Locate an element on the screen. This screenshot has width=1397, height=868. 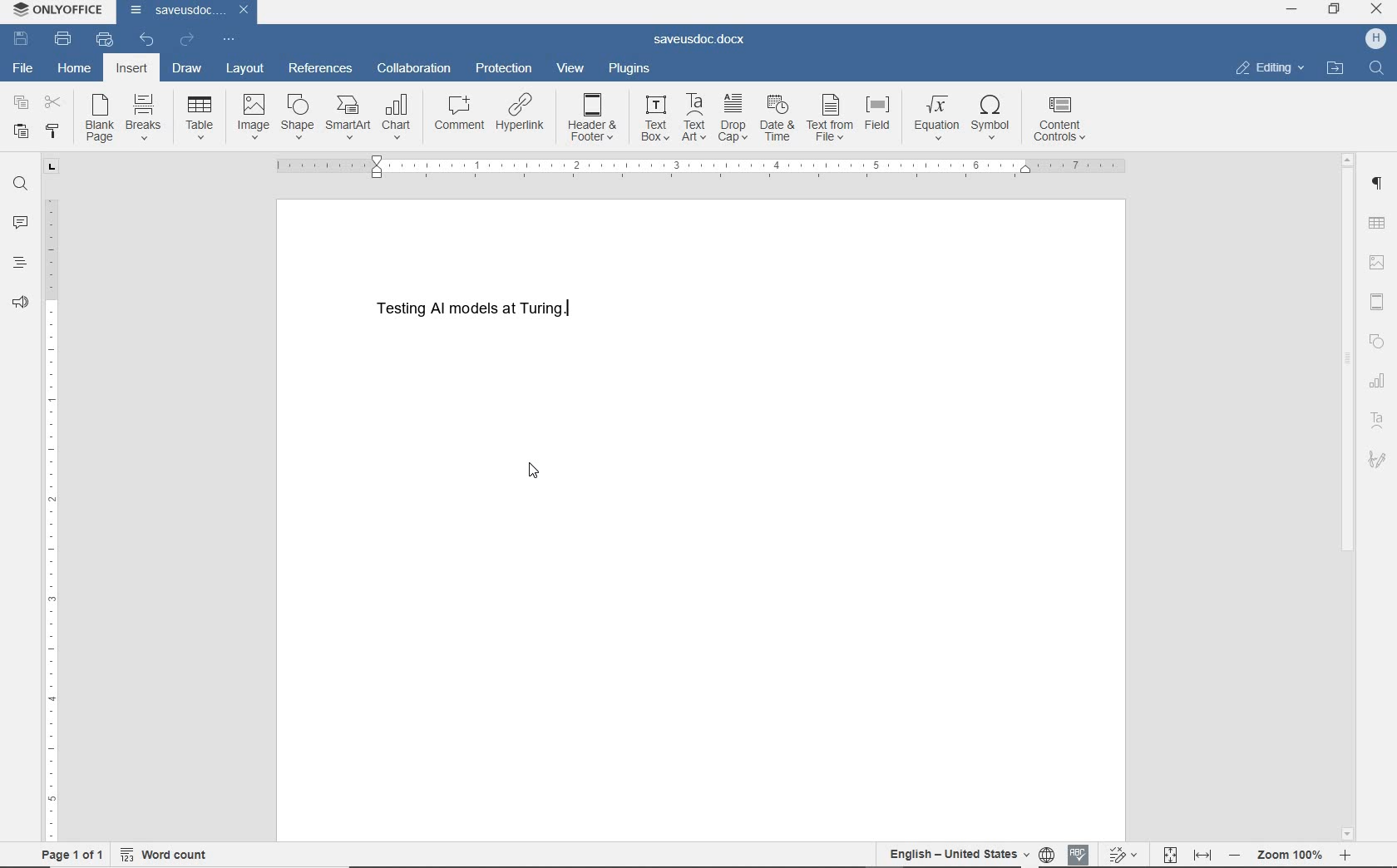
chart is located at coordinates (397, 117).